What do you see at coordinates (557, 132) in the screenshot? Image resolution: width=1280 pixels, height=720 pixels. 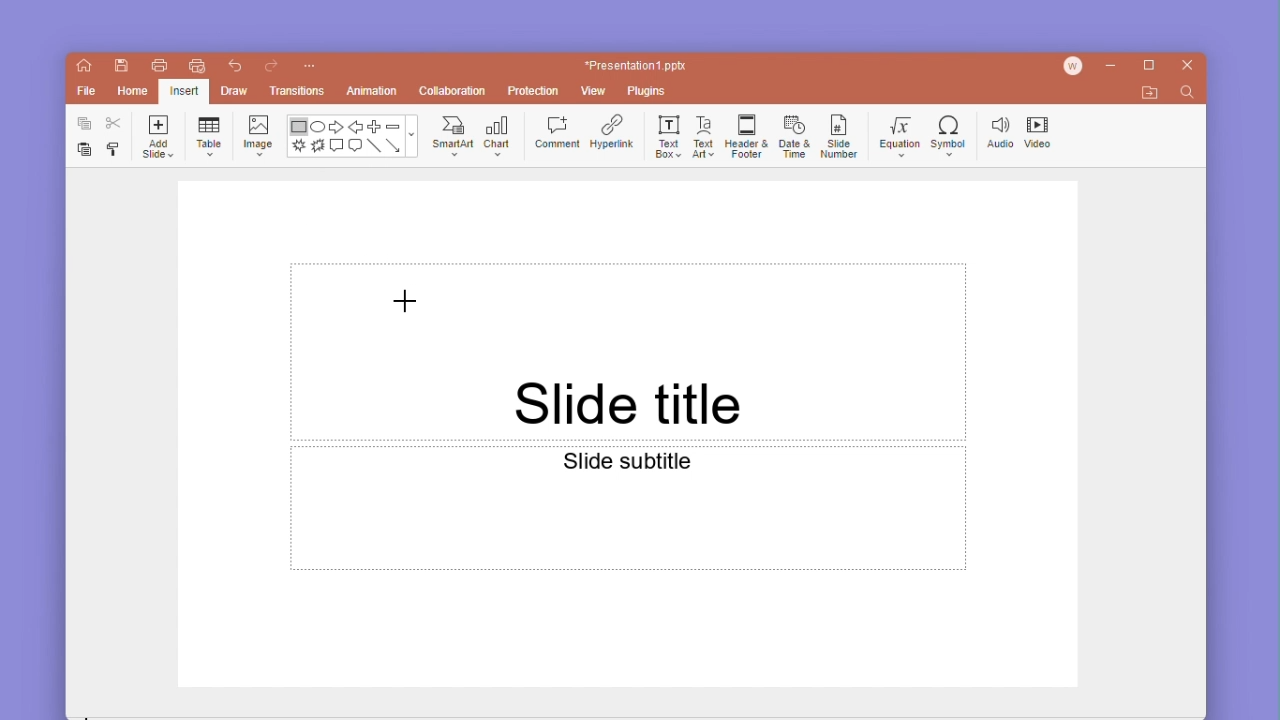 I see `comment` at bounding box center [557, 132].